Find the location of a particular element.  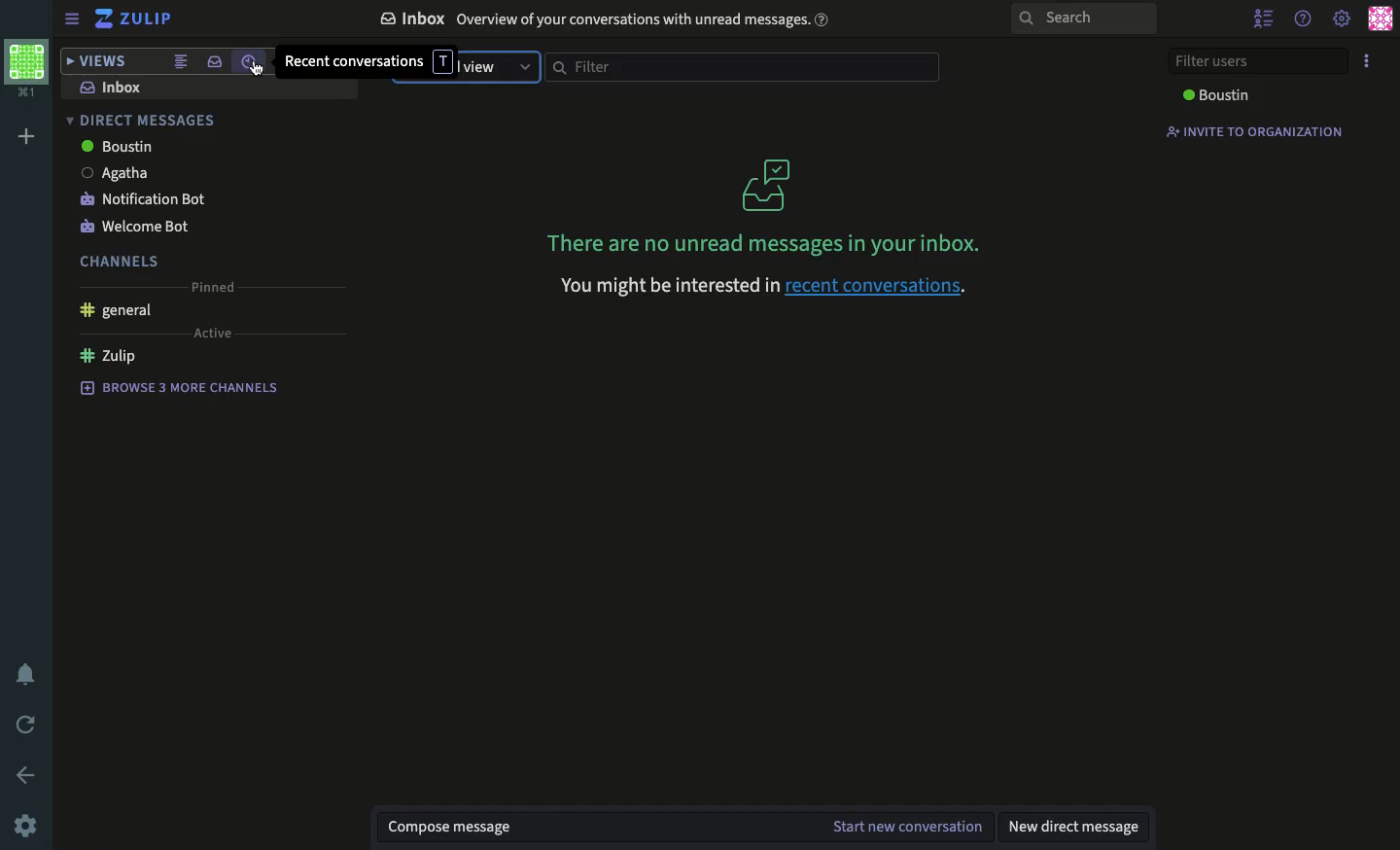

pinned is located at coordinates (214, 287).